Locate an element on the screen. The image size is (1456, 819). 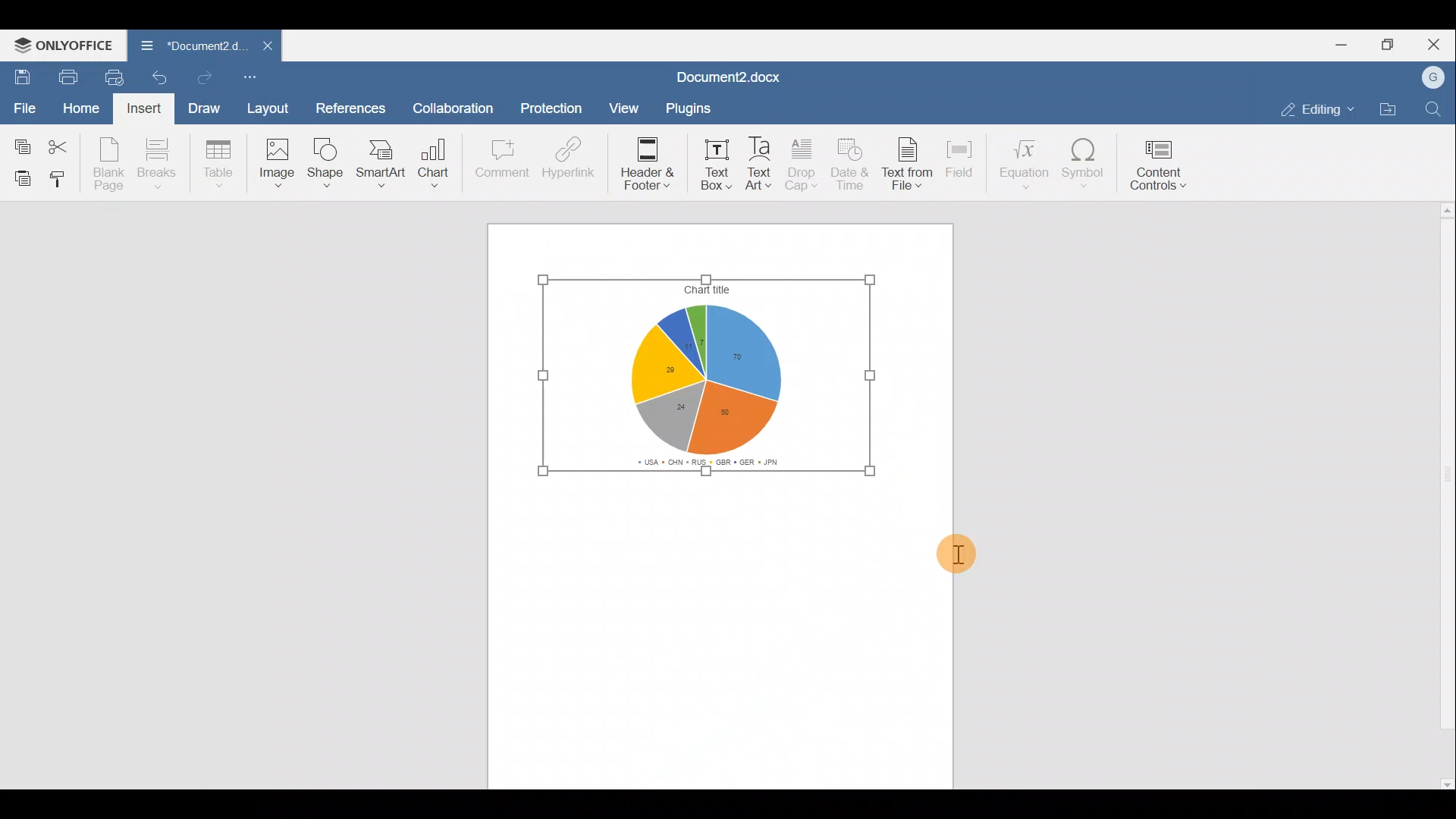
Customize quick access toolbar is located at coordinates (256, 77).